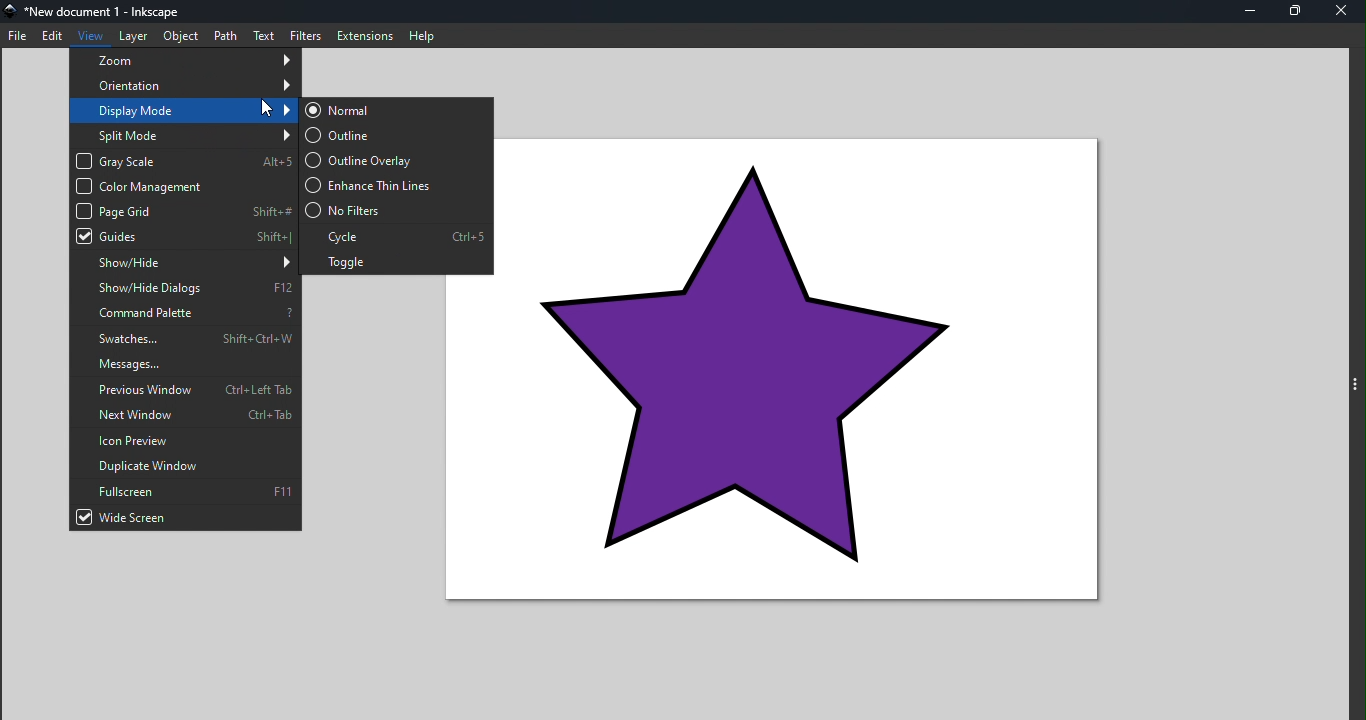 The width and height of the screenshot is (1366, 720). What do you see at coordinates (394, 185) in the screenshot?
I see `Enhance thin lines` at bounding box center [394, 185].